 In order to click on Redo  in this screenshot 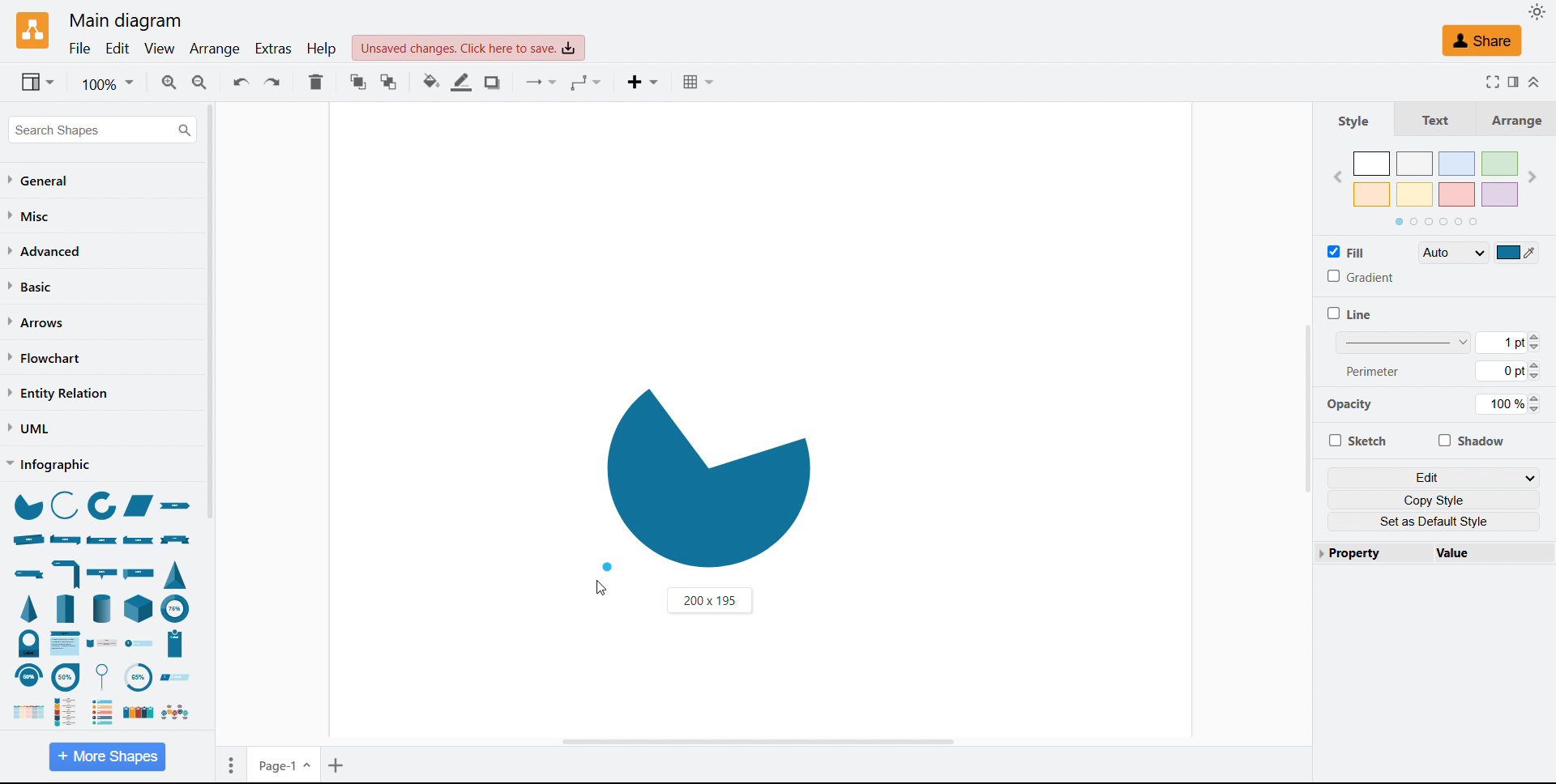, I will do `click(272, 82)`.